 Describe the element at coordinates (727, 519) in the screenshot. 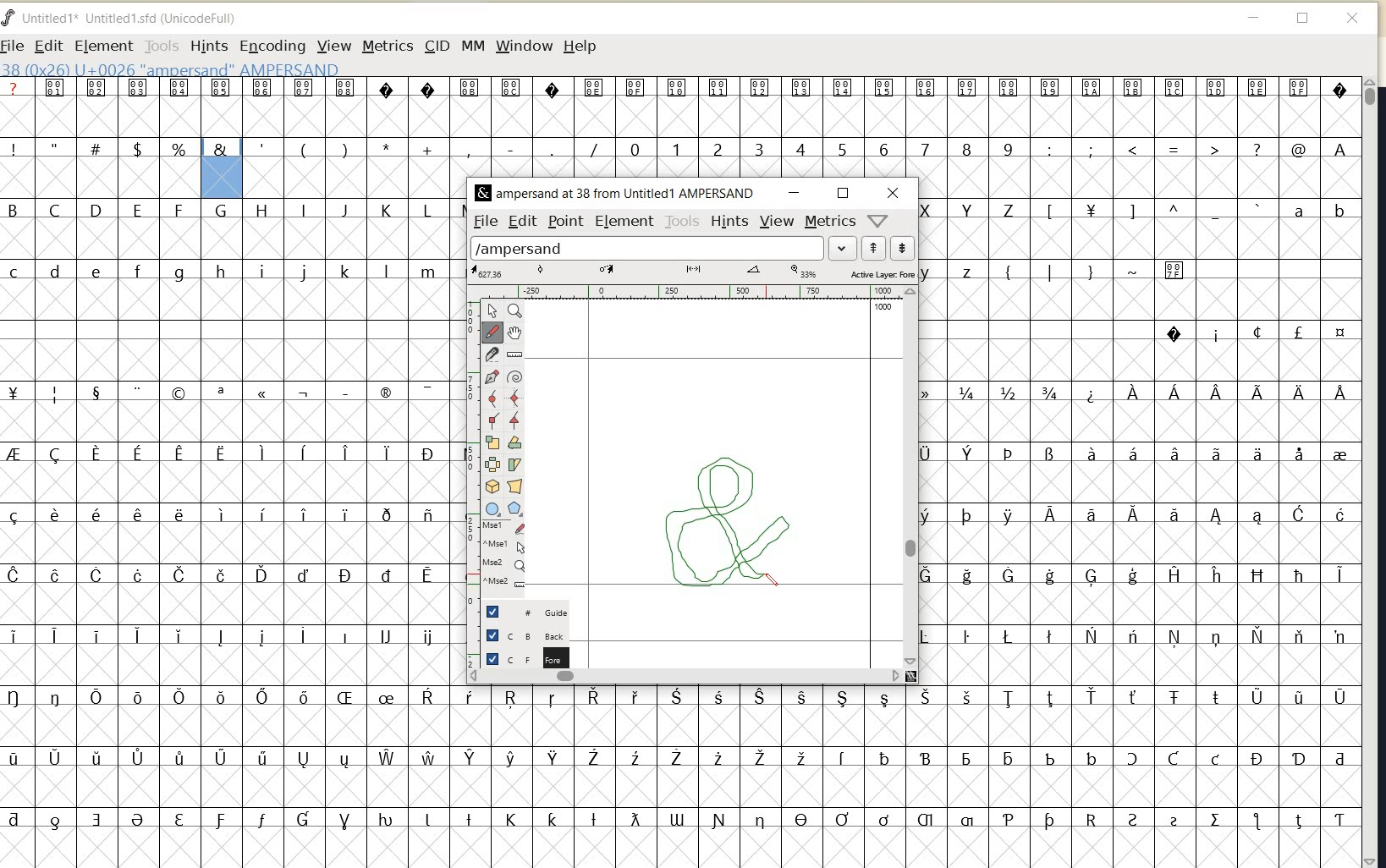

I see `a custom ampersand (&) creation` at that location.